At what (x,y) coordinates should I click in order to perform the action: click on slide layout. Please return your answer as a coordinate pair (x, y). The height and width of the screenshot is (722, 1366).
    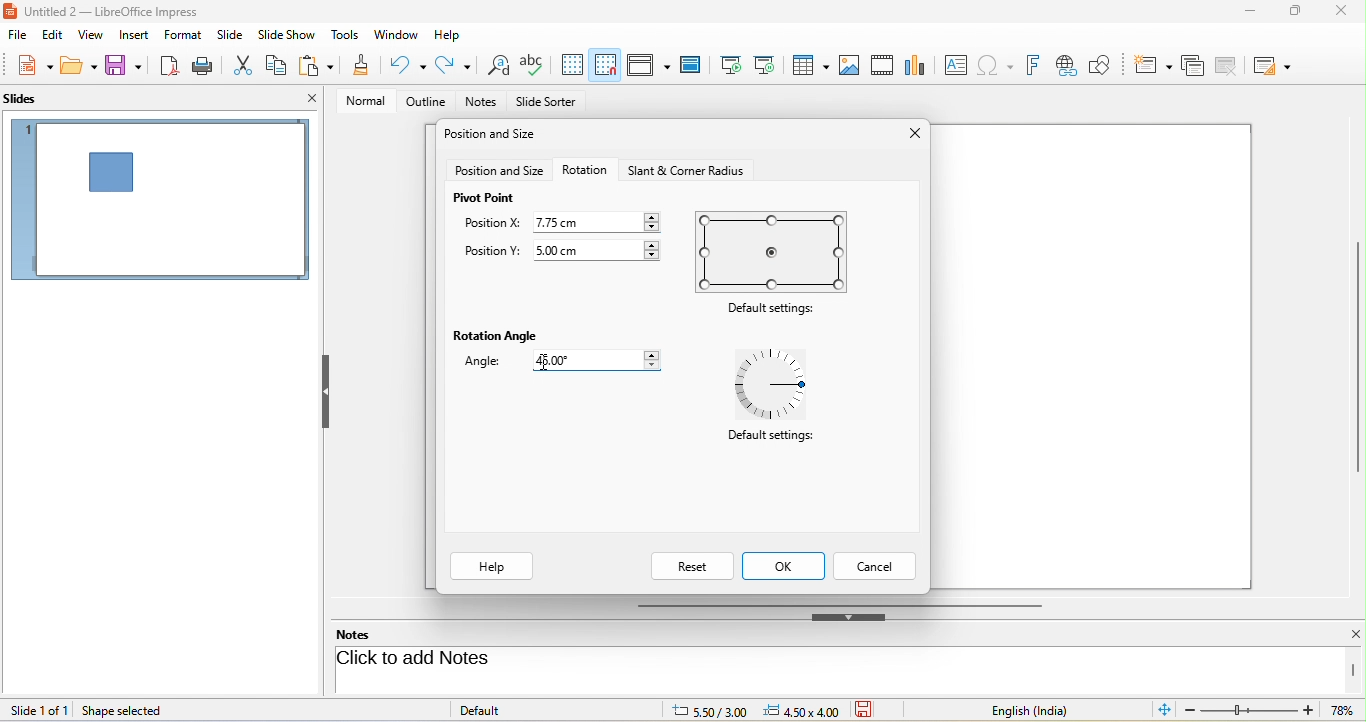
    Looking at the image, I should click on (1277, 64).